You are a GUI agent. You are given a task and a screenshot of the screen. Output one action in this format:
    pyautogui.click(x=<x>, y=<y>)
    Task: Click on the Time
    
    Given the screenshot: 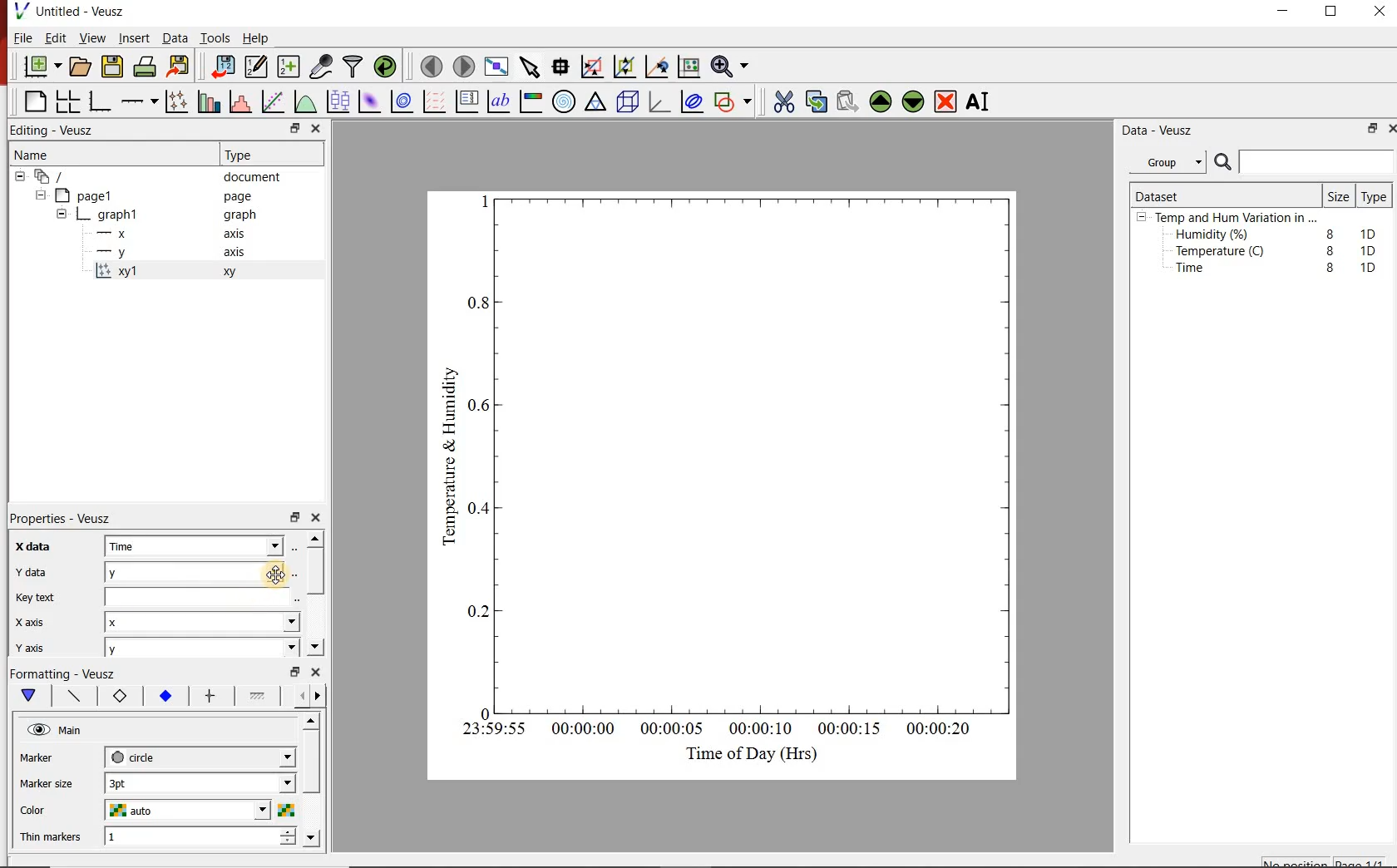 What is the action you would take?
    pyautogui.click(x=146, y=547)
    